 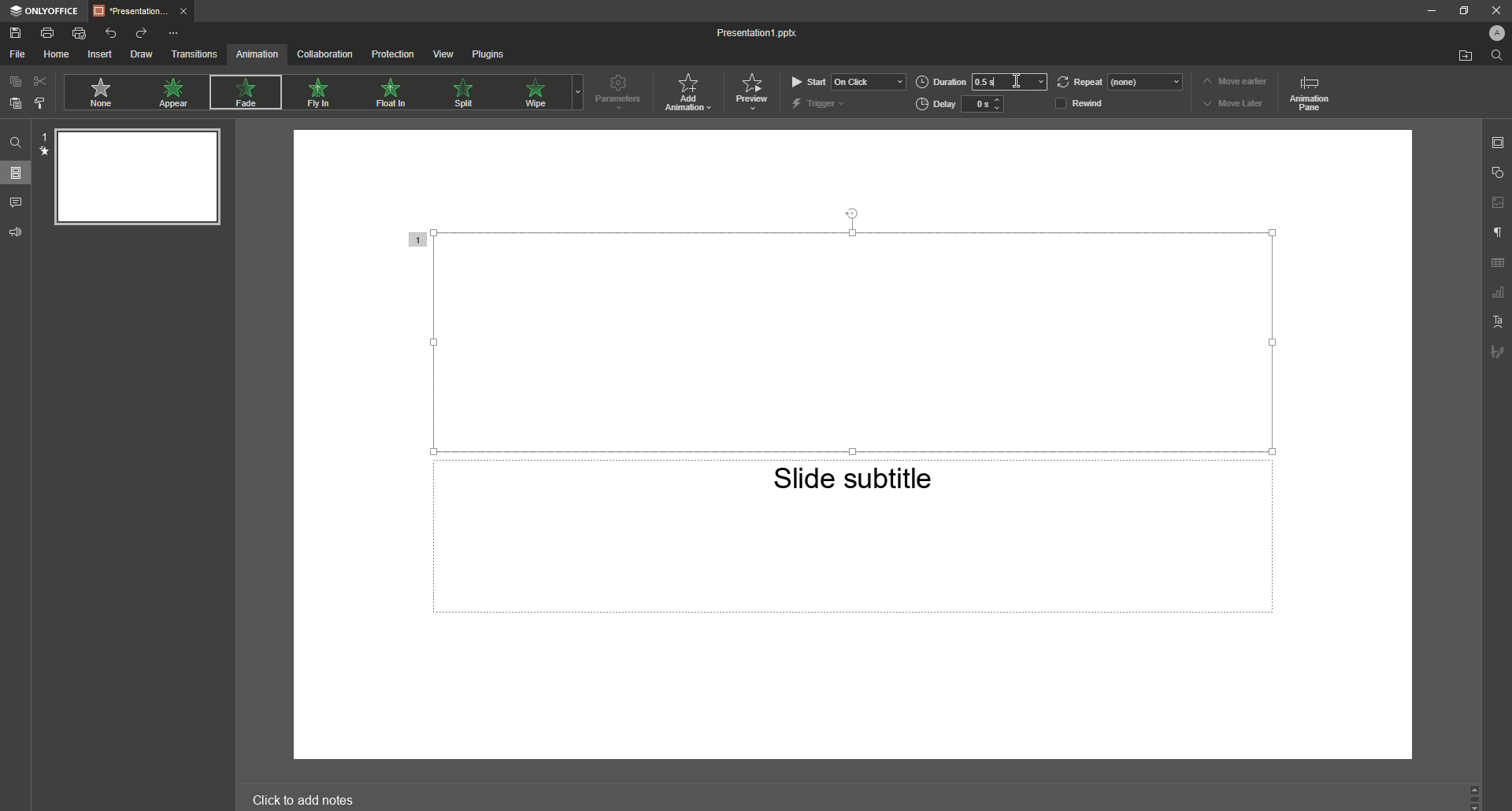 What do you see at coordinates (1497, 142) in the screenshot?
I see `Slide settings` at bounding box center [1497, 142].